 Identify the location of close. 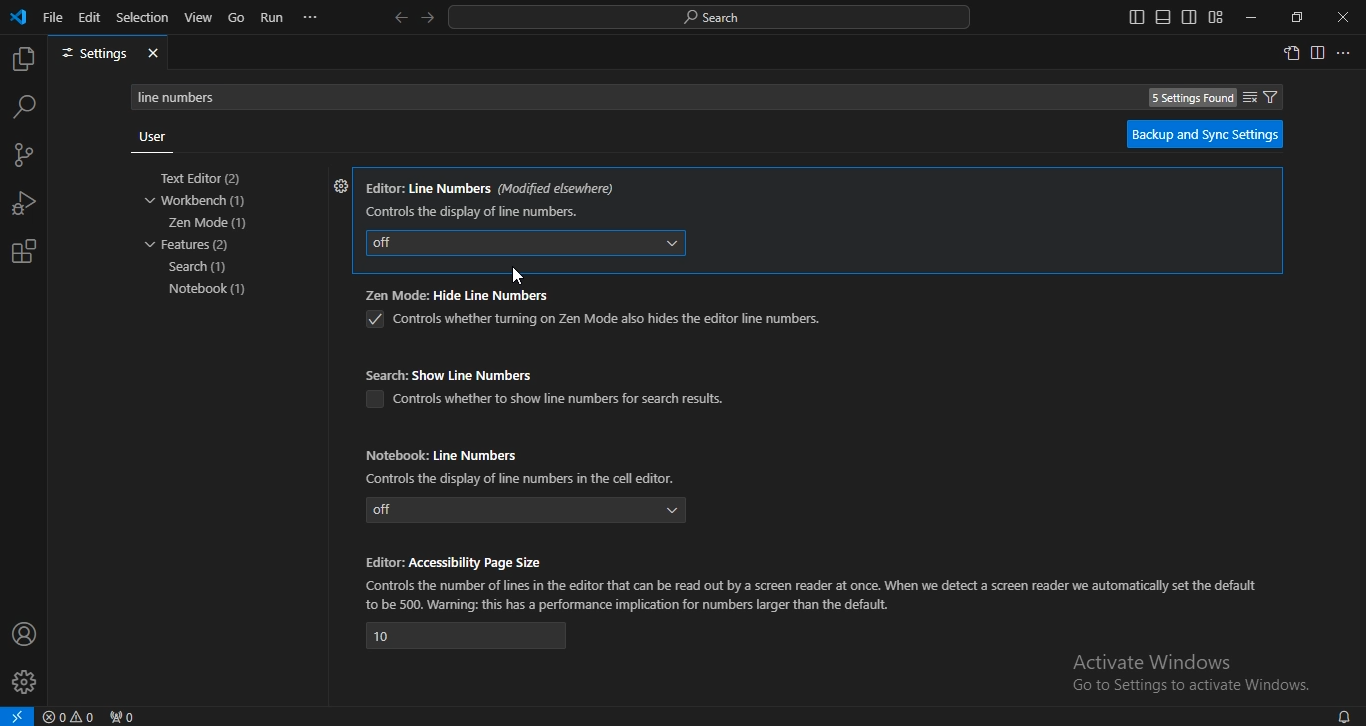
(1344, 18).